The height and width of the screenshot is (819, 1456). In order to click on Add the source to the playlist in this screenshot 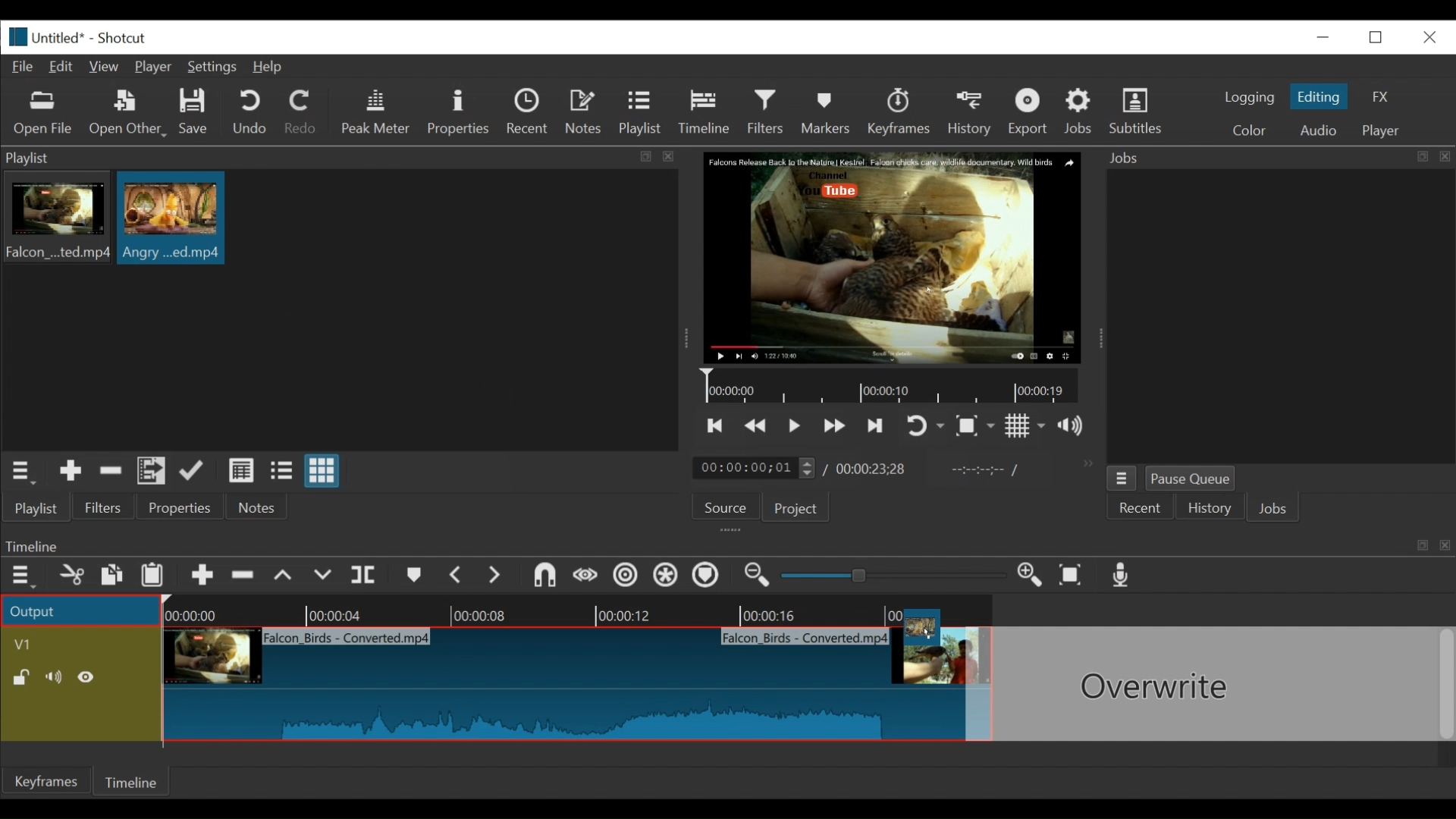, I will do `click(69, 473)`.